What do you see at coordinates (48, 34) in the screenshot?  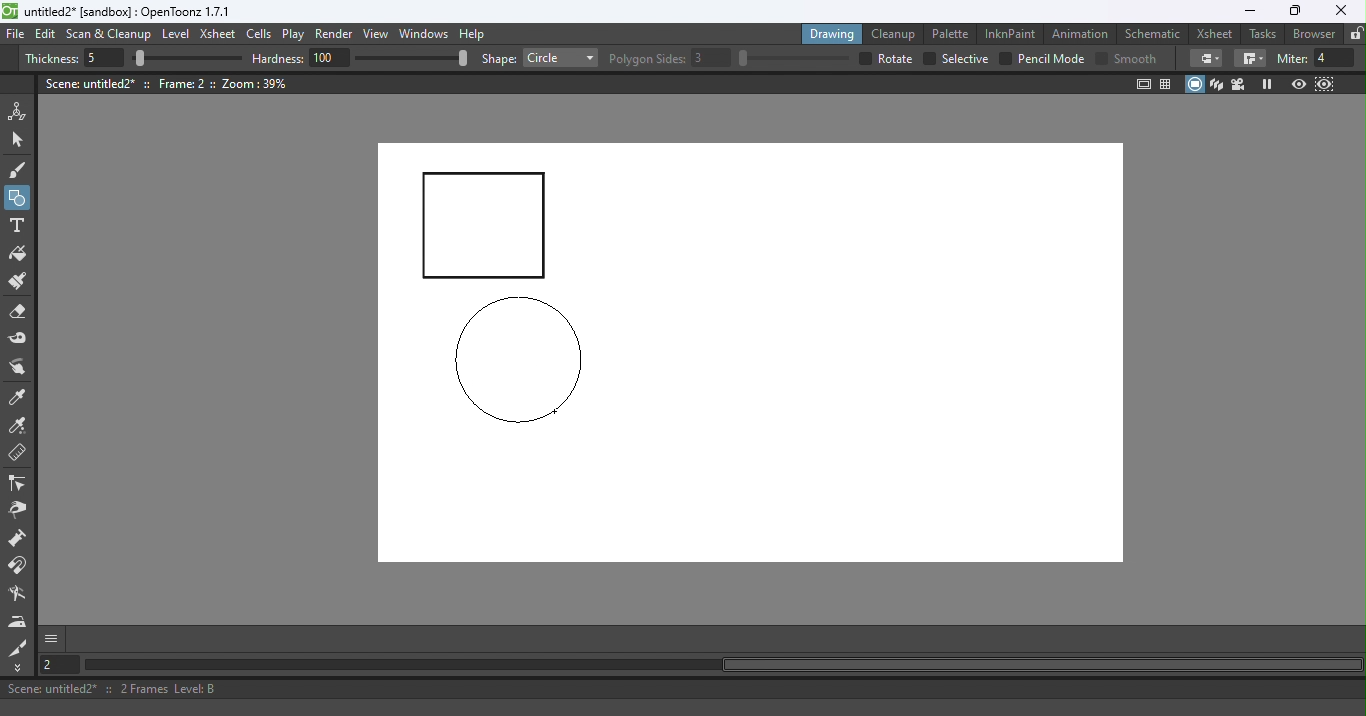 I see `Edit` at bounding box center [48, 34].